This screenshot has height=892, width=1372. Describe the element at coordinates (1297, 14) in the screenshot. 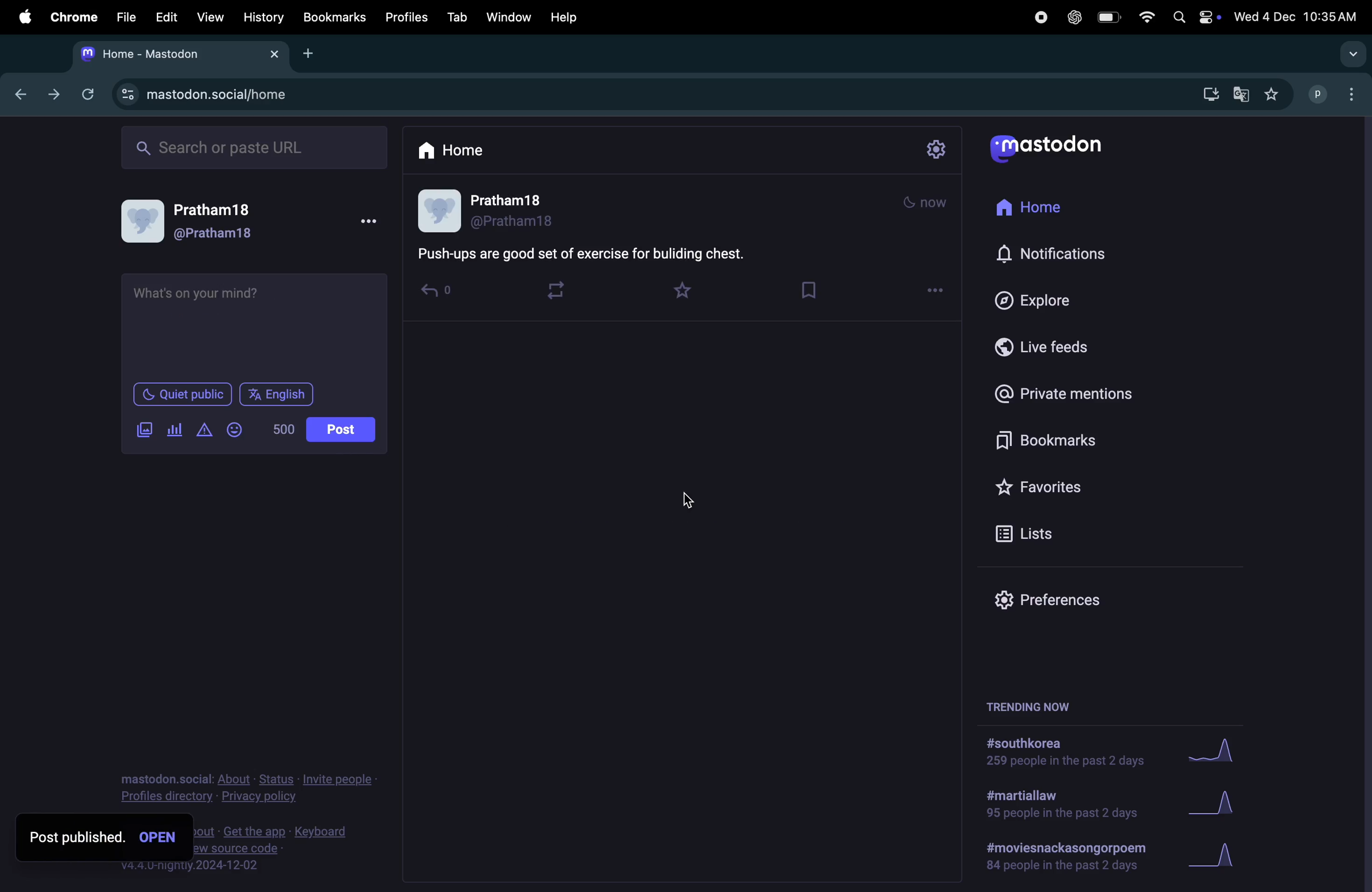

I see `date and time` at that location.